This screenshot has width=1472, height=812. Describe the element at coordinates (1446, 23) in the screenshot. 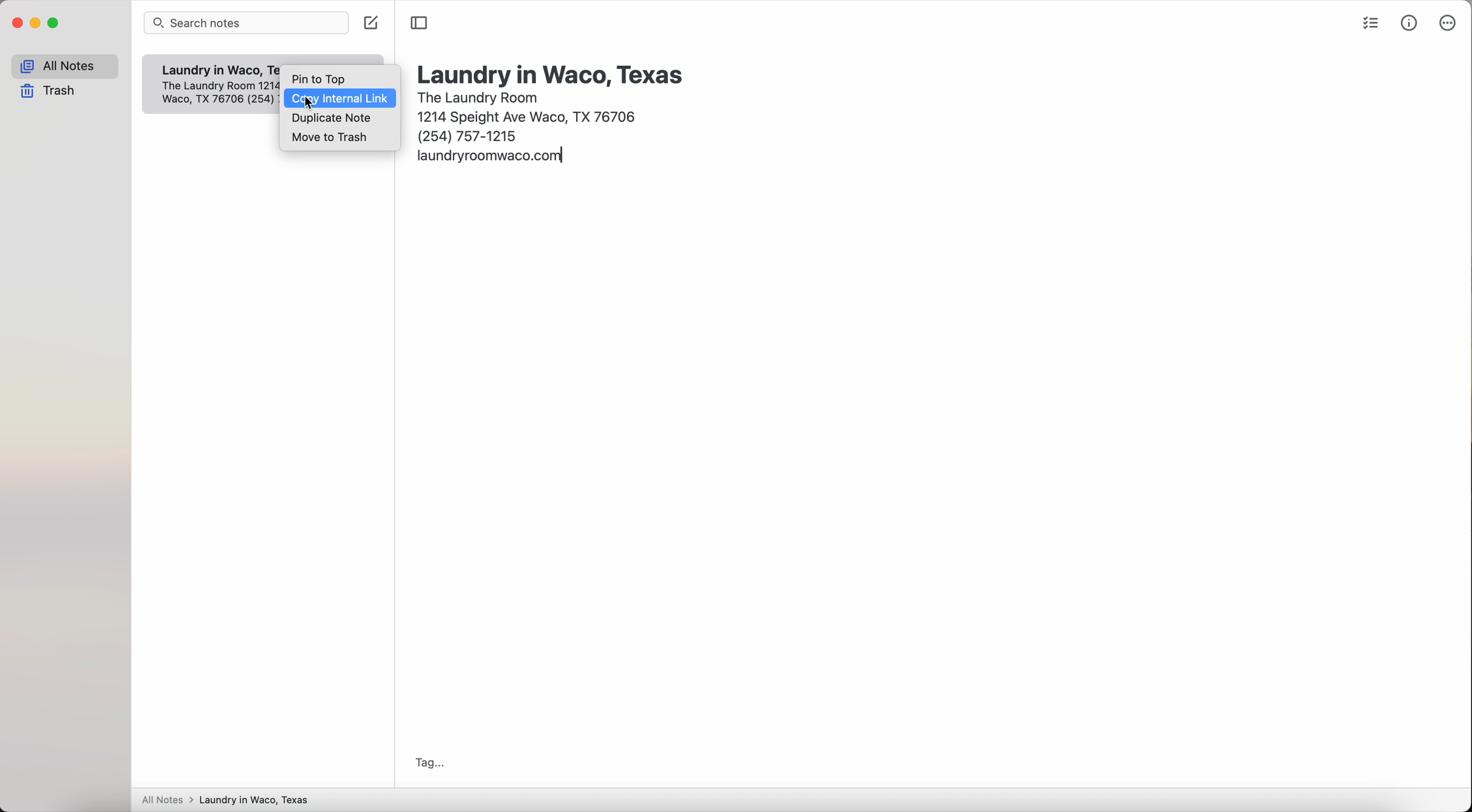

I see `more options` at that location.